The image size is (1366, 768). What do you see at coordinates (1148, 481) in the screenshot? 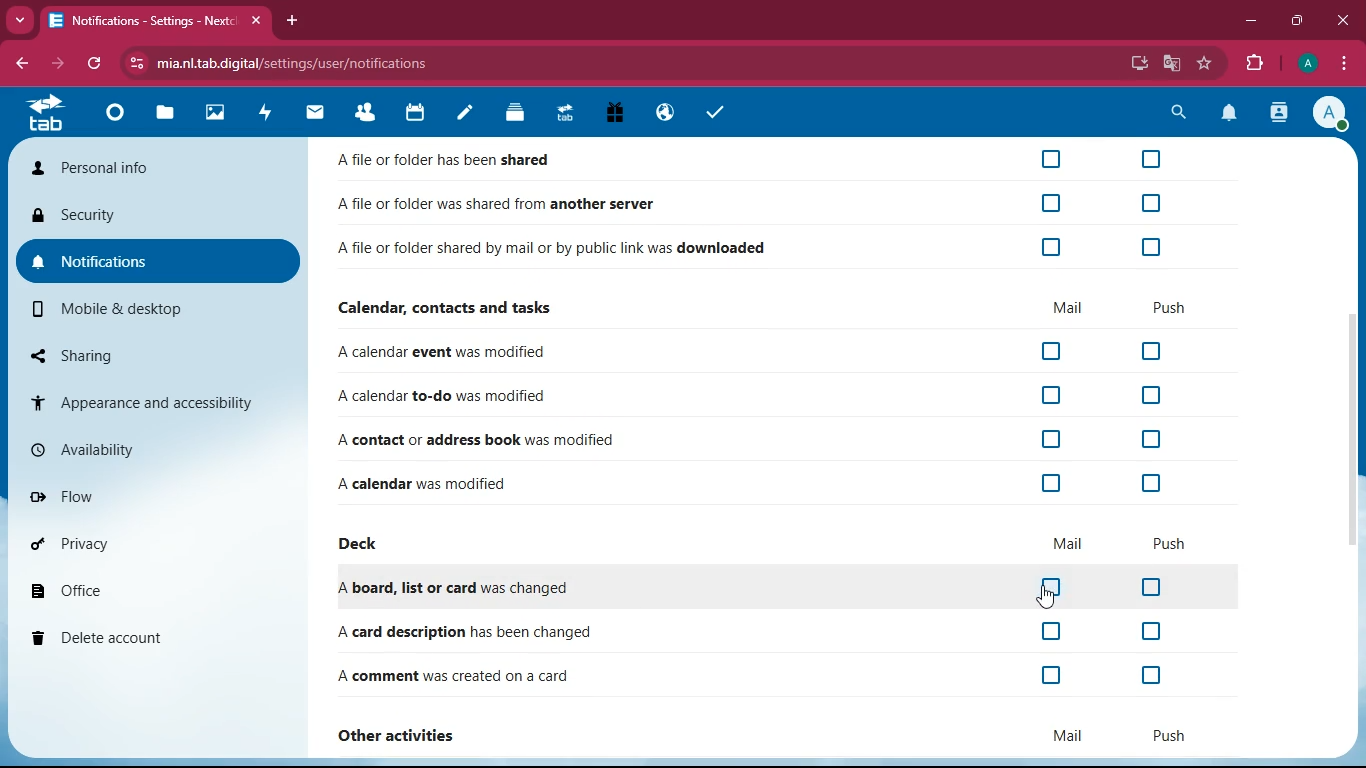
I see `off` at bounding box center [1148, 481].